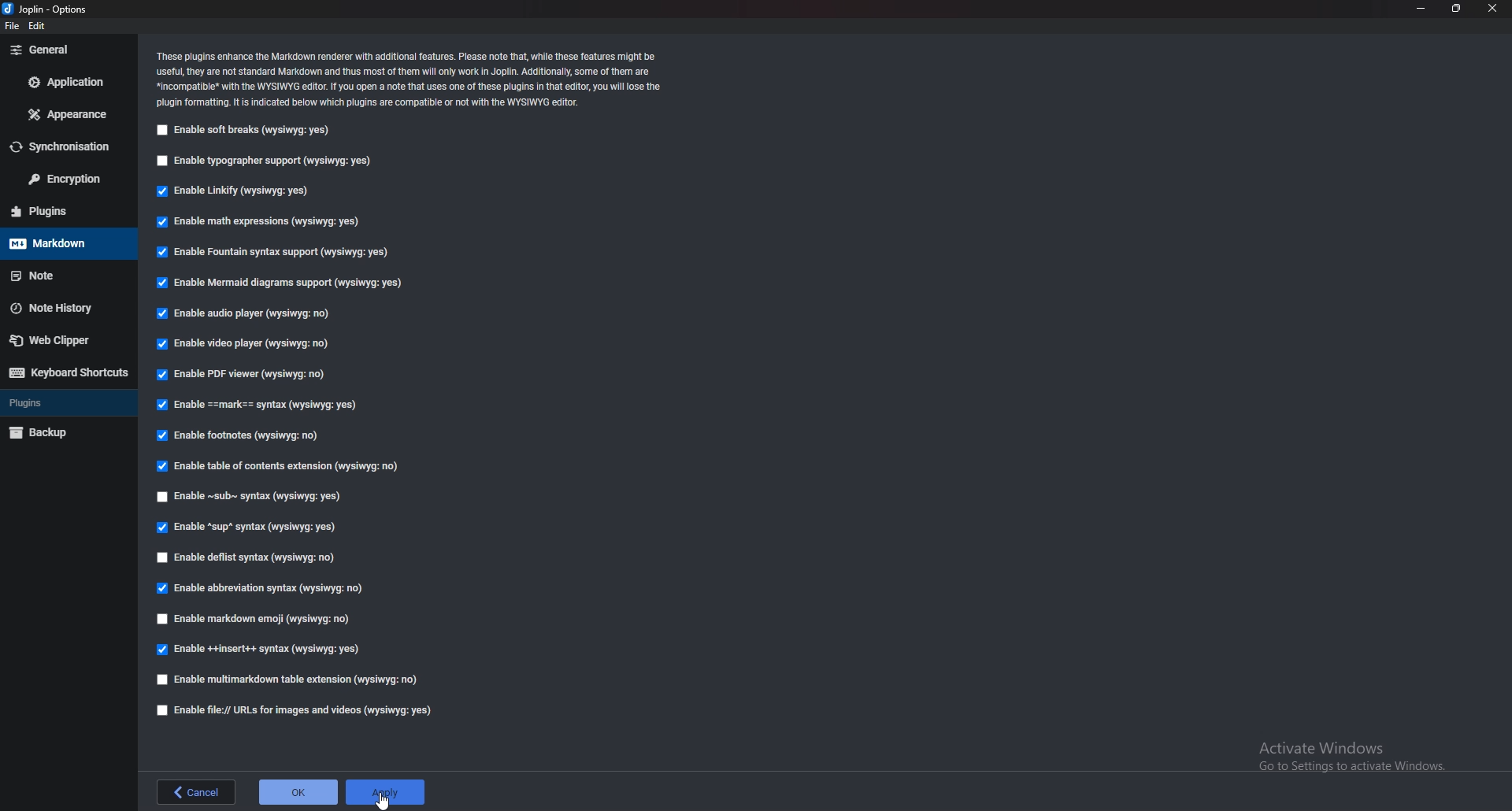  Describe the element at coordinates (264, 405) in the screenshot. I see `enable Mark Syntax` at that location.